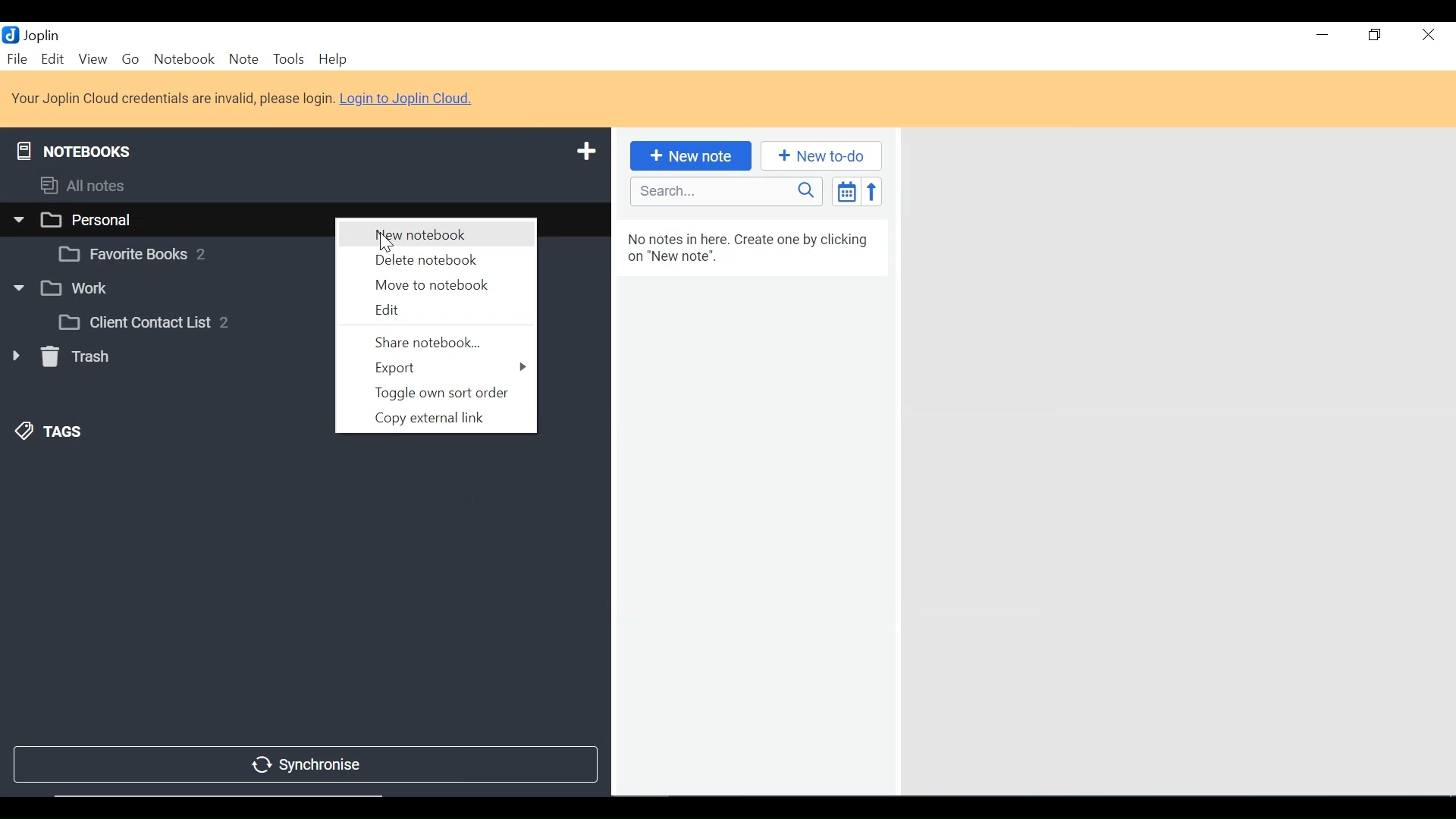  Describe the element at coordinates (184, 252) in the screenshot. I see `Notebook` at that location.